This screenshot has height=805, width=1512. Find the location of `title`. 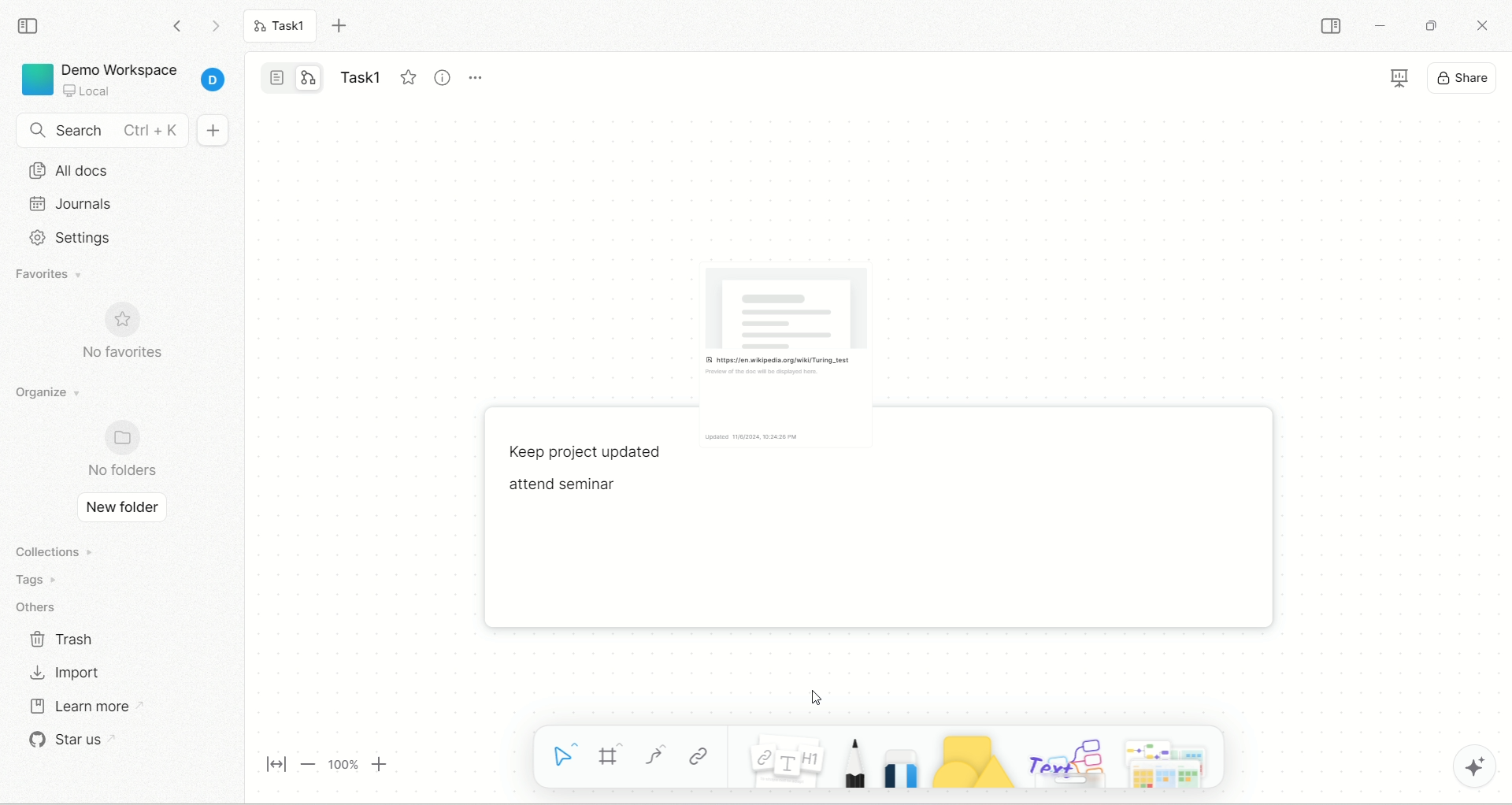

title is located at coordinates (358, 73).